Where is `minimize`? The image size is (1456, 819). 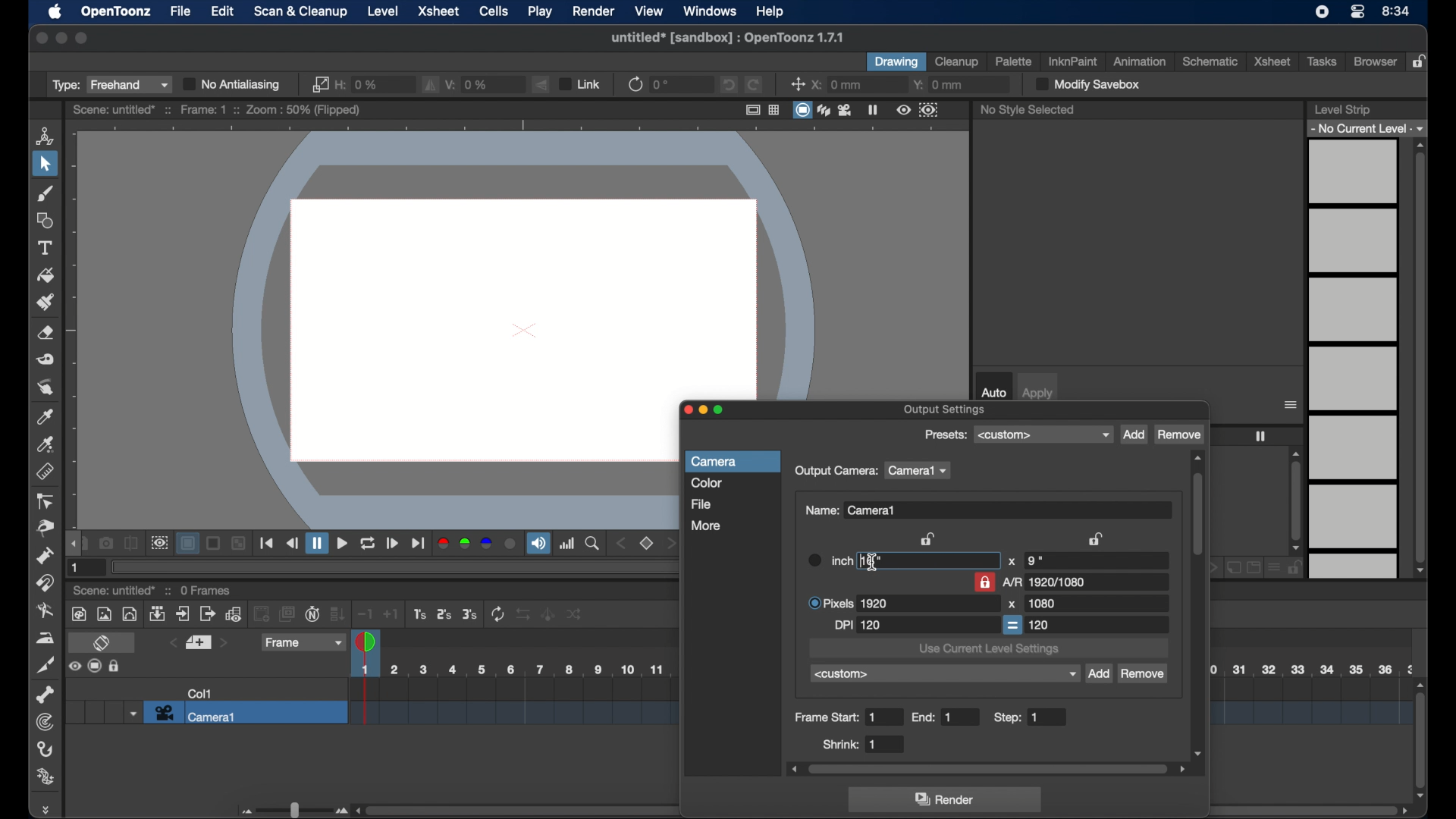 minimize is located at coordinates (60, 38).